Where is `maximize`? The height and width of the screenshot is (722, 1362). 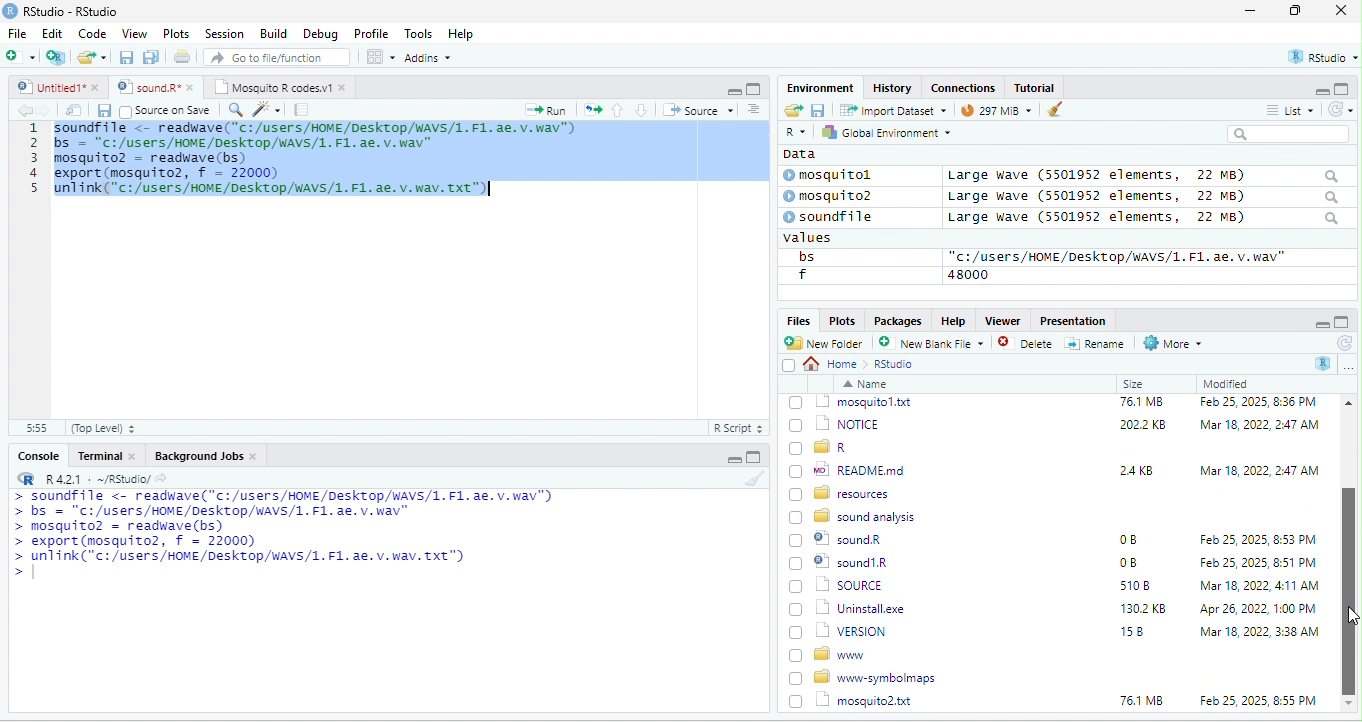 maximize is located at coordinates (1342, 322).